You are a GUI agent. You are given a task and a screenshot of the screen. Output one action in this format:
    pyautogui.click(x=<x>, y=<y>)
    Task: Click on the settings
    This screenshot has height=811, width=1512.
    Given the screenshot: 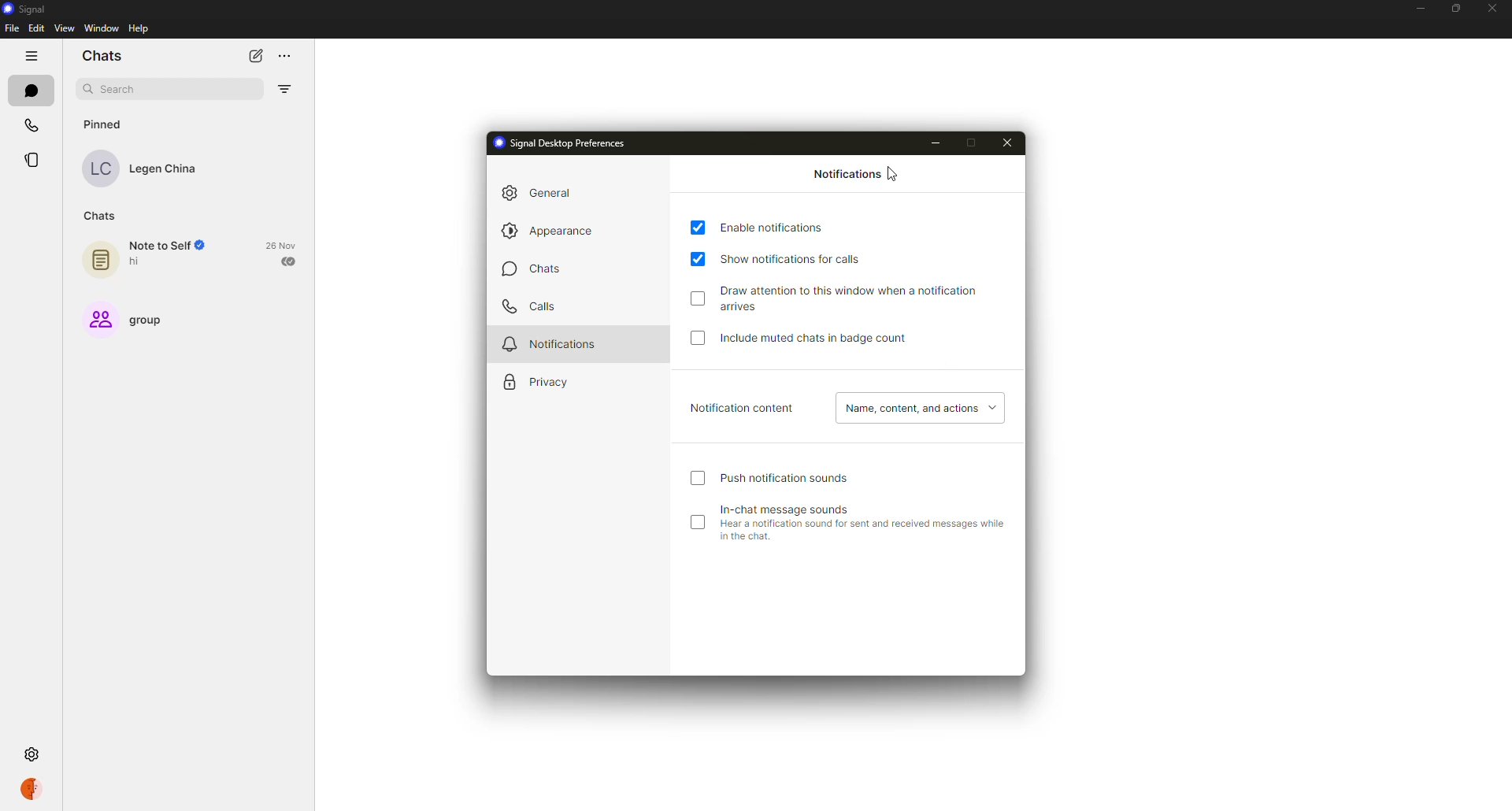 What is the action you would take?
    pyautogui.click(x=102, y=753)
    